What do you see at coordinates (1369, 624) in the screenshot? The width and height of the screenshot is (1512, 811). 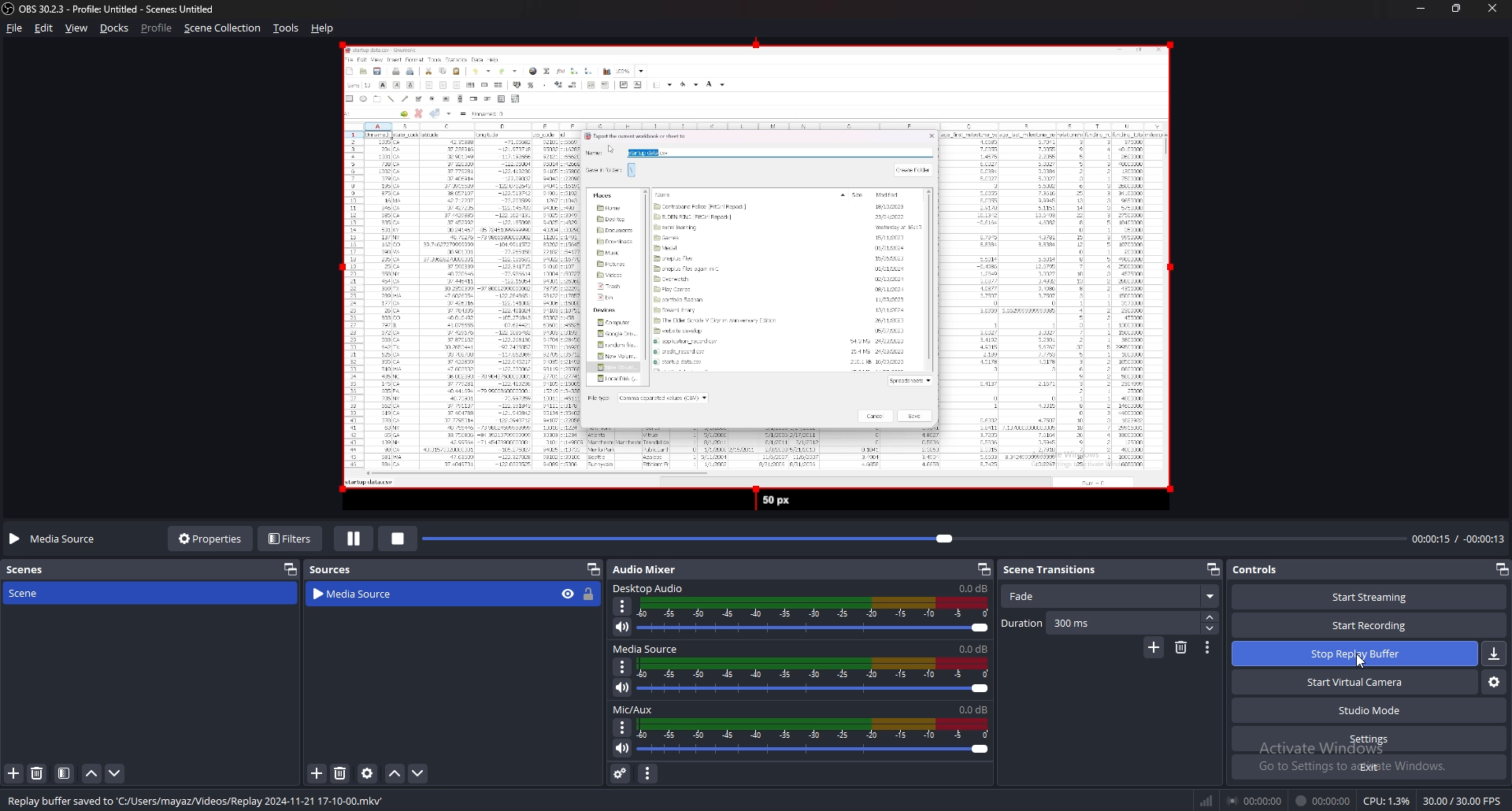 I see `start recording` at bounding box center [1369, 624].